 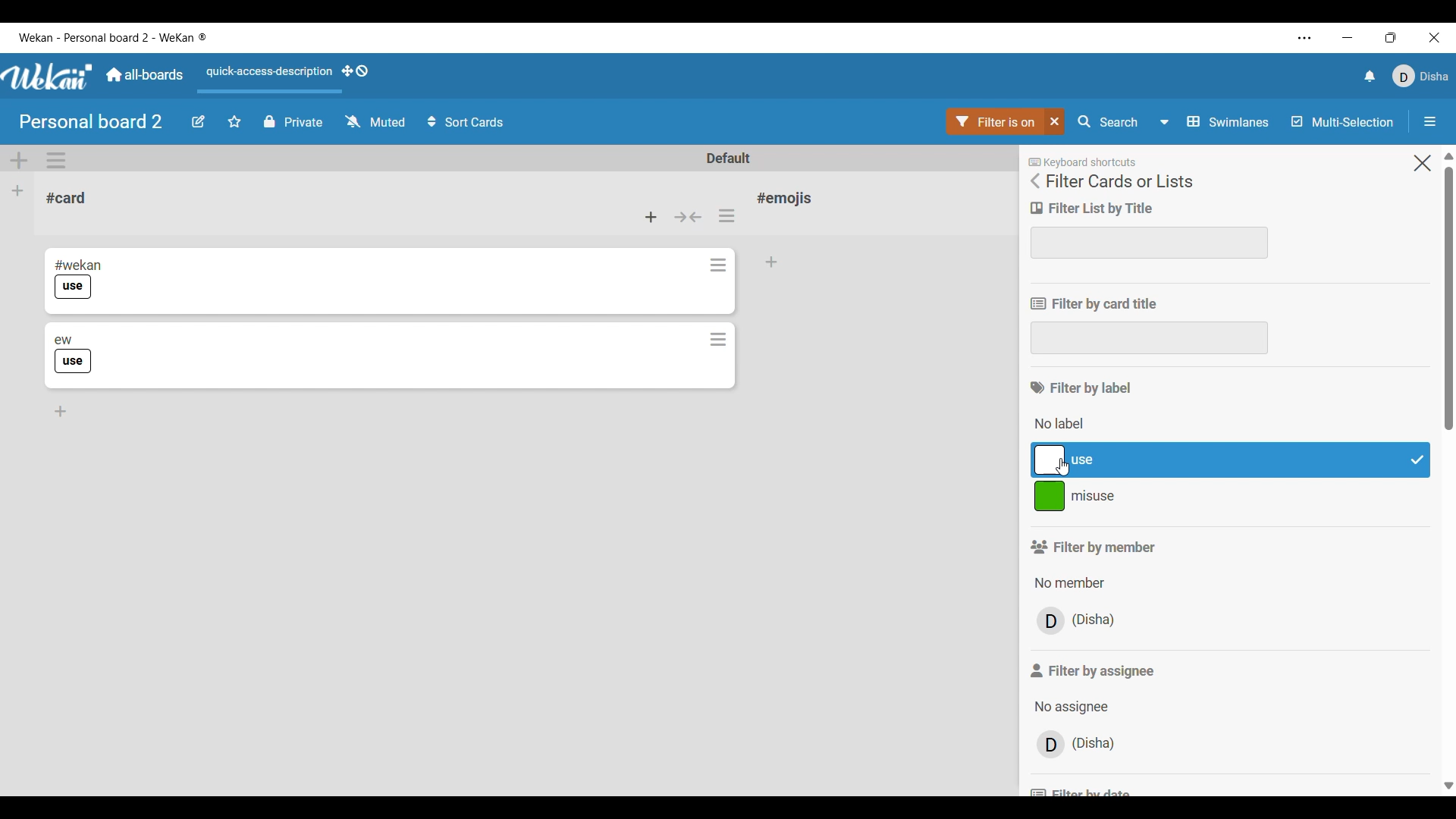 What do you see at coordinates (267, 72) in the screenshot?
I see `Quick access description` at bounding box center [267, 72].